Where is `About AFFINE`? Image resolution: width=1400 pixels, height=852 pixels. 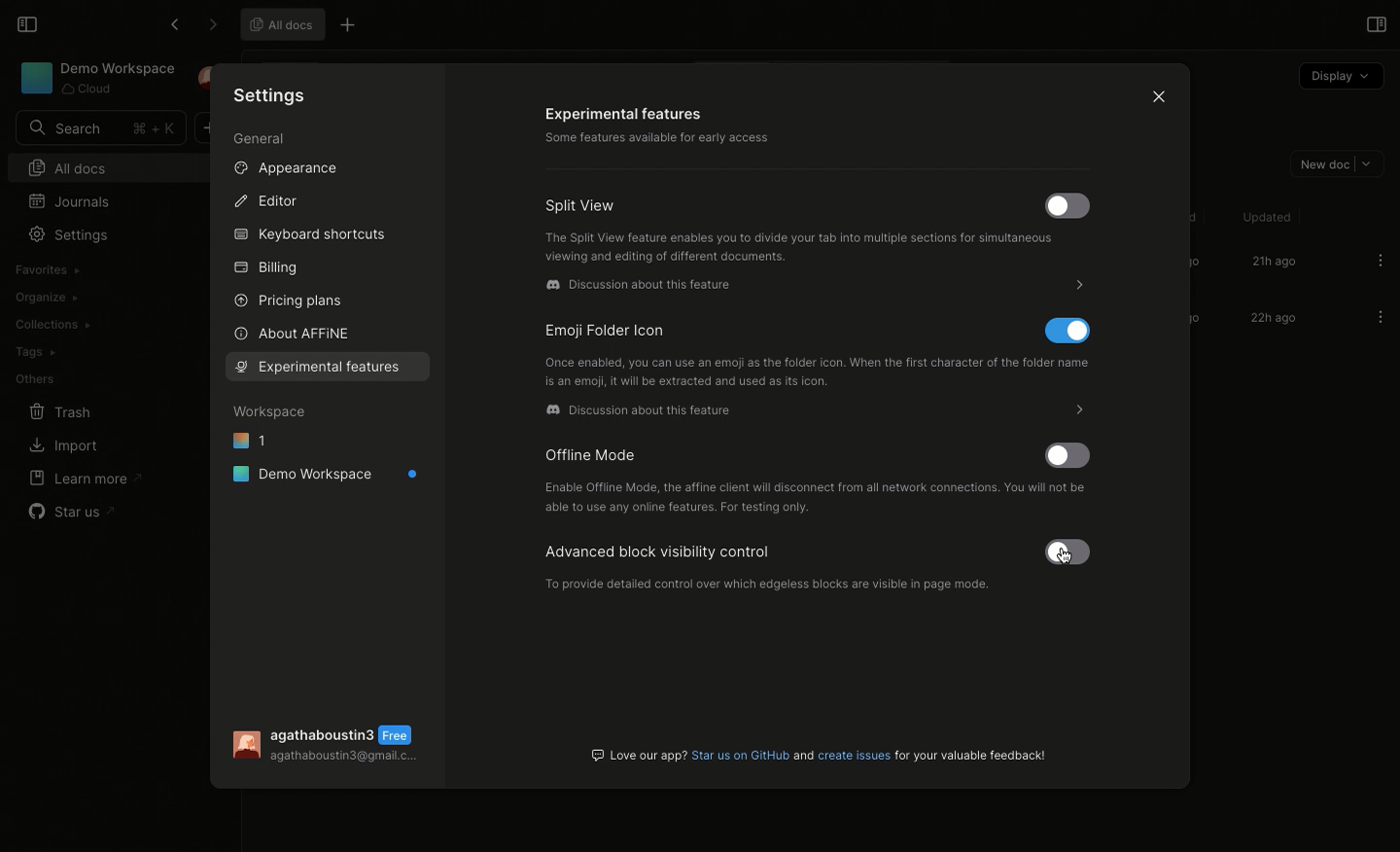
About AFFINE is located at coordinates (294, 334).